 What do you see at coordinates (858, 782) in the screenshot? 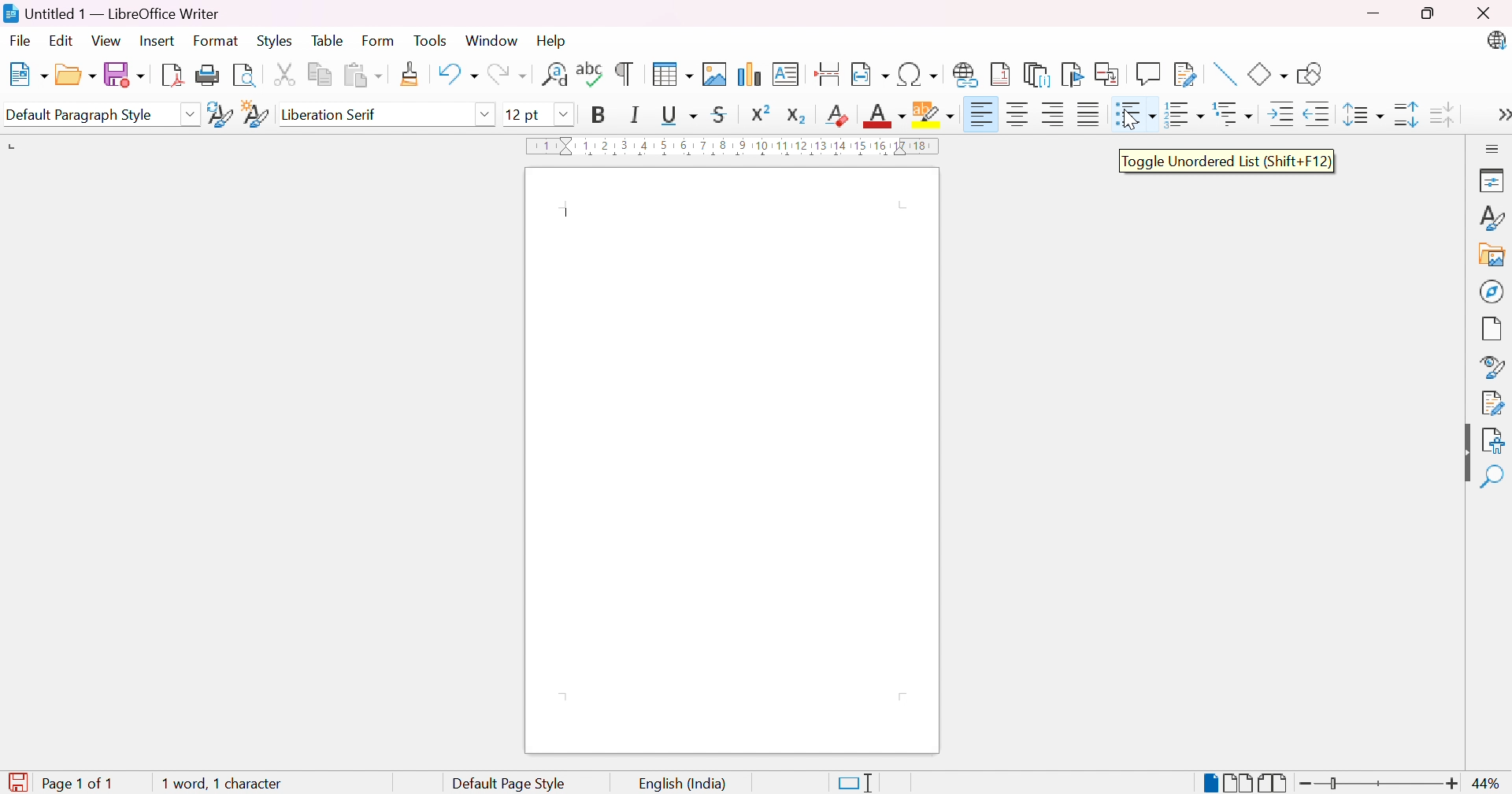
I see `Standard selection. Click to change selection mode.` at bounding box center [858, 782].